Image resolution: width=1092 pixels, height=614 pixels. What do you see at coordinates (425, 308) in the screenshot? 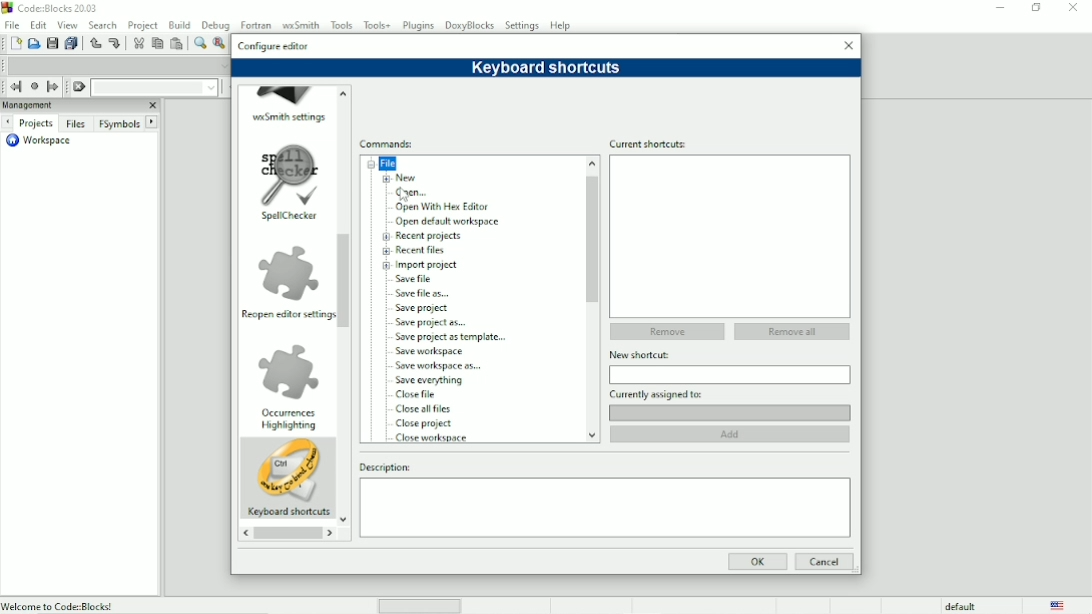
I see `Save project` at bounding box center [425, 308].